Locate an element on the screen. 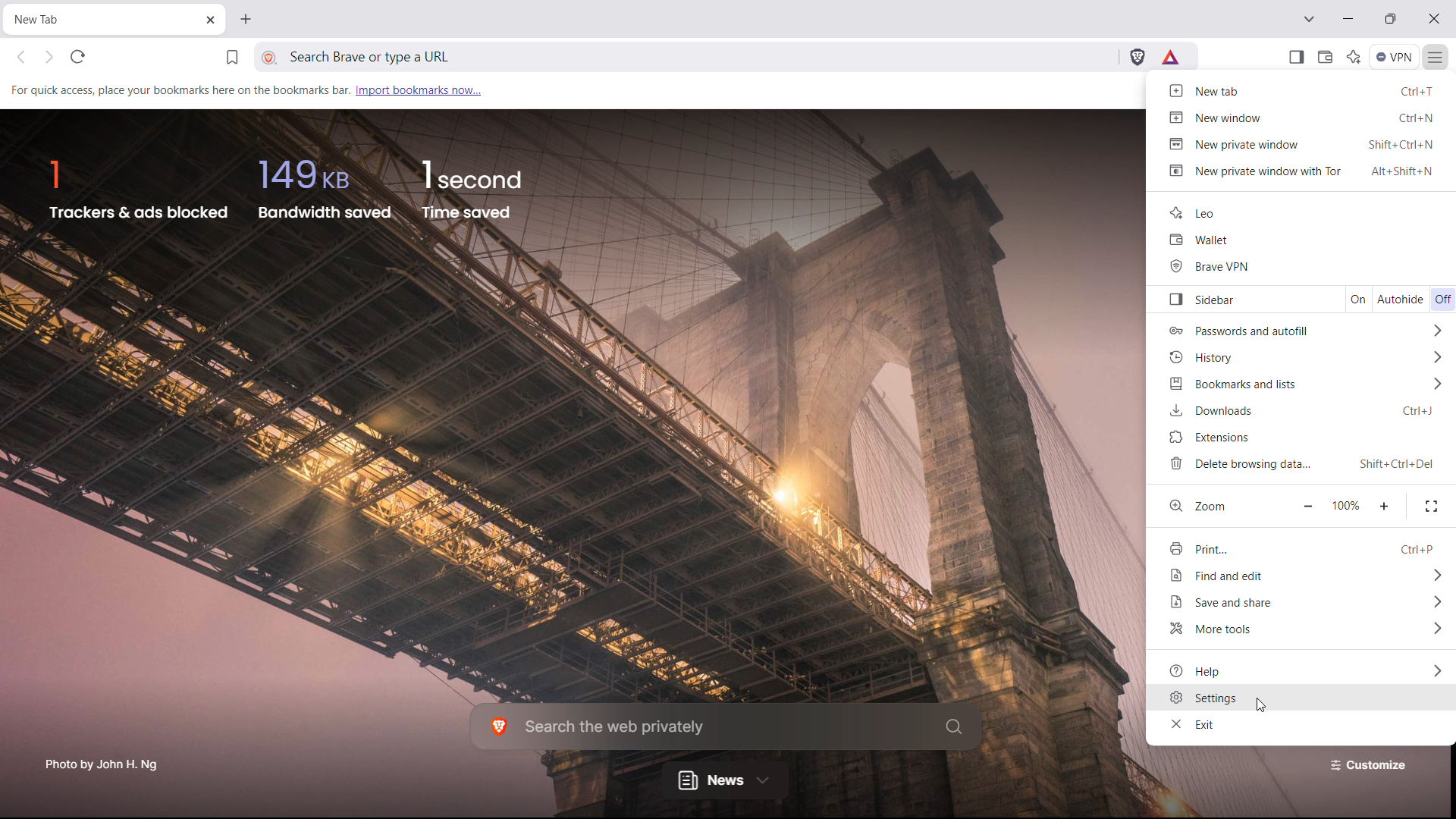 The width and height of the screenshot is (1456, 819). click to go forward, hold to see history is located at coordinates (50, 56).